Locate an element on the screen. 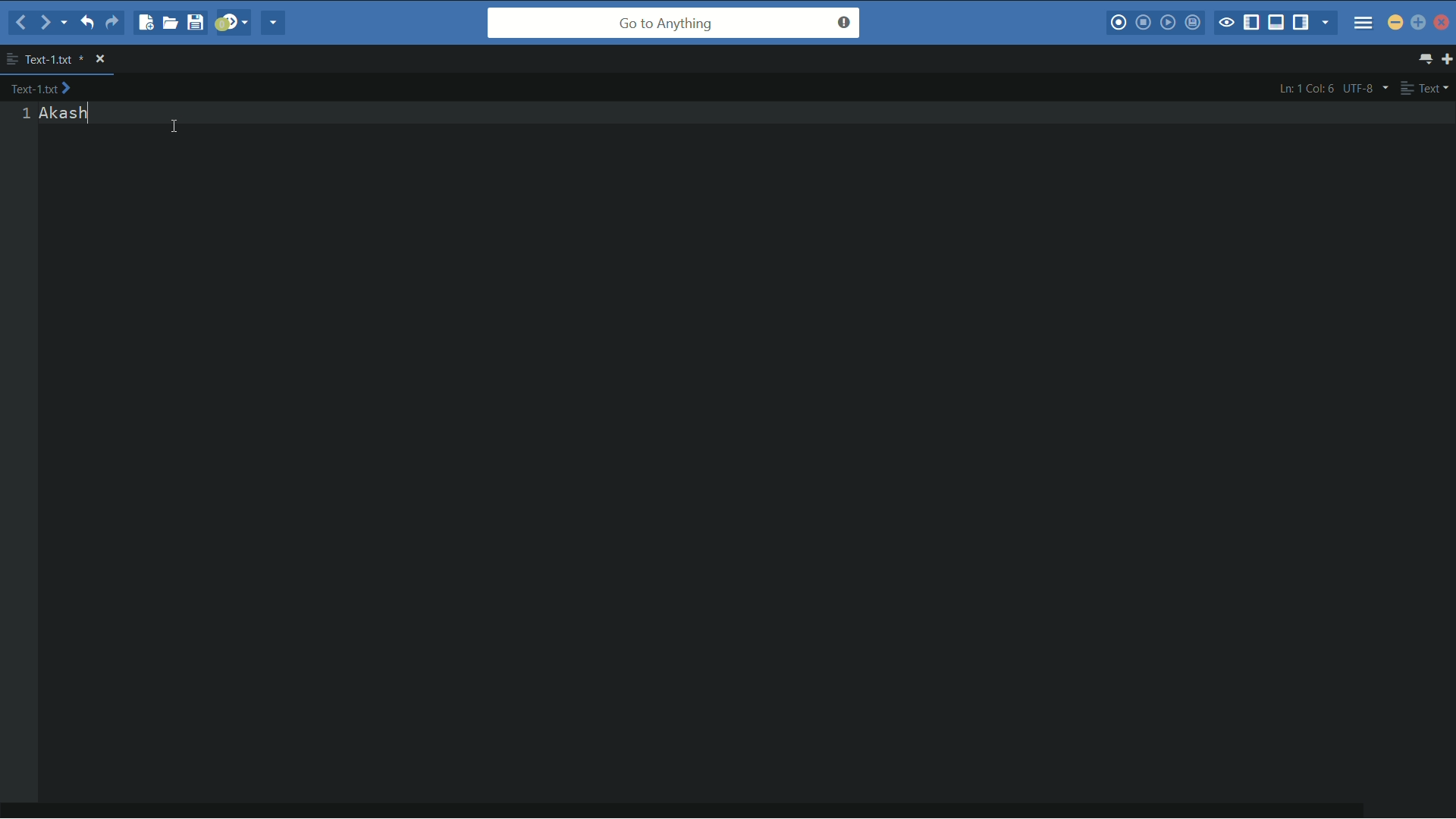 This screenshot has height=819, width=1456. cursor is located at coordinates (174, 127).